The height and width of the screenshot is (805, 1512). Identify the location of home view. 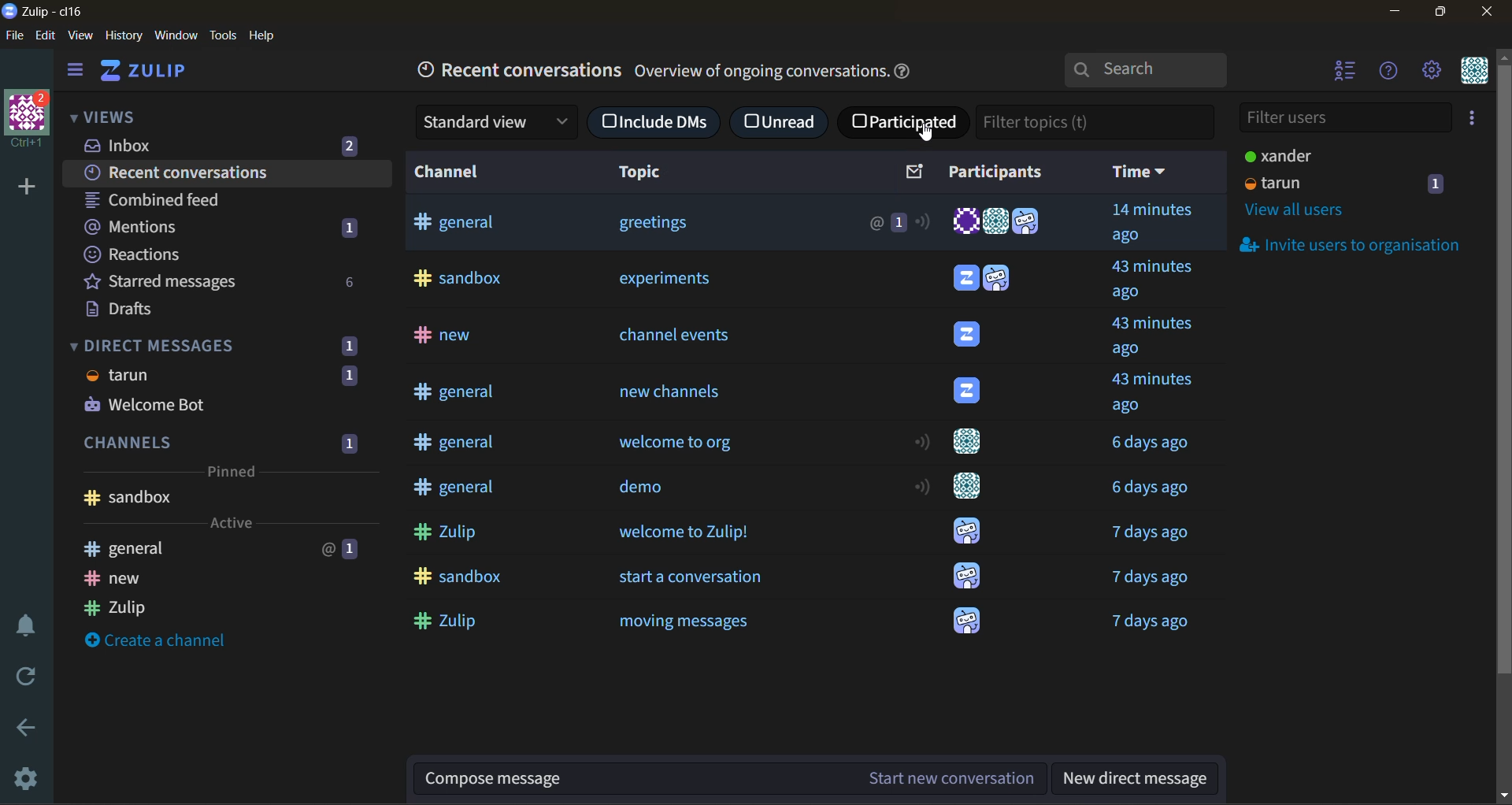
(147, 72).